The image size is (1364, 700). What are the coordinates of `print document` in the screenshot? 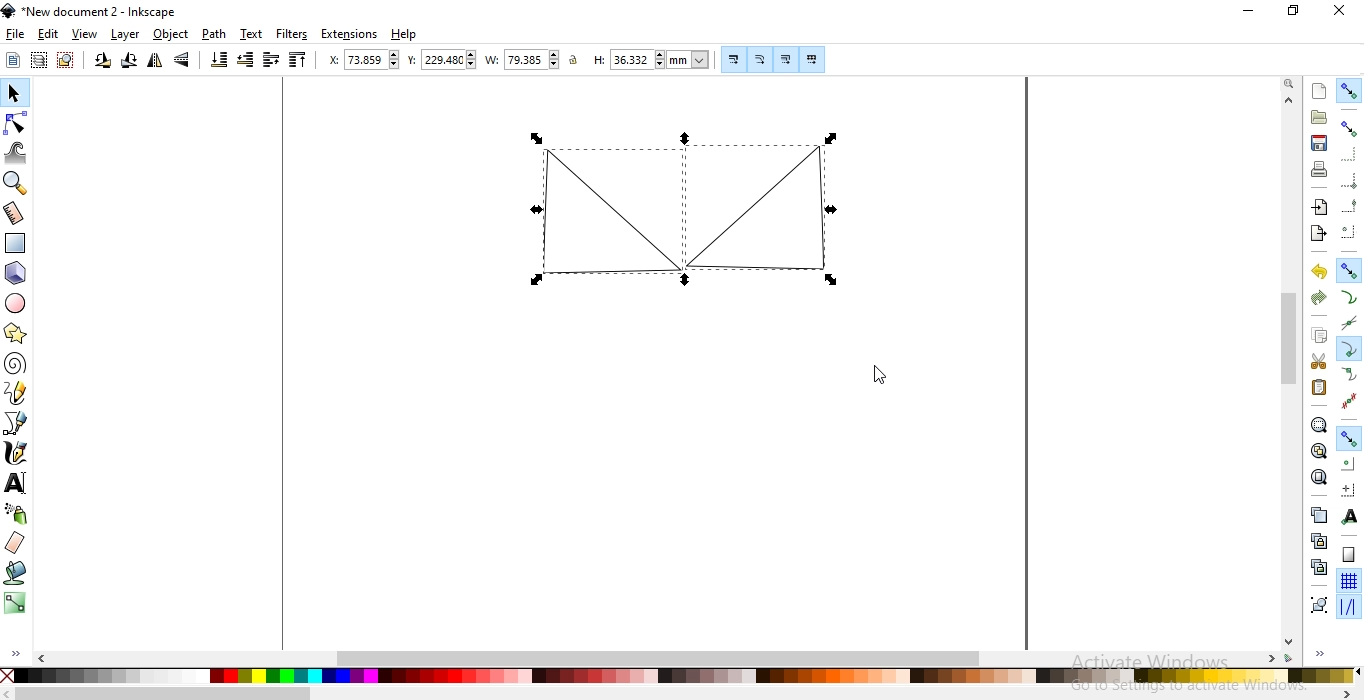 It's located at (1320, 168).